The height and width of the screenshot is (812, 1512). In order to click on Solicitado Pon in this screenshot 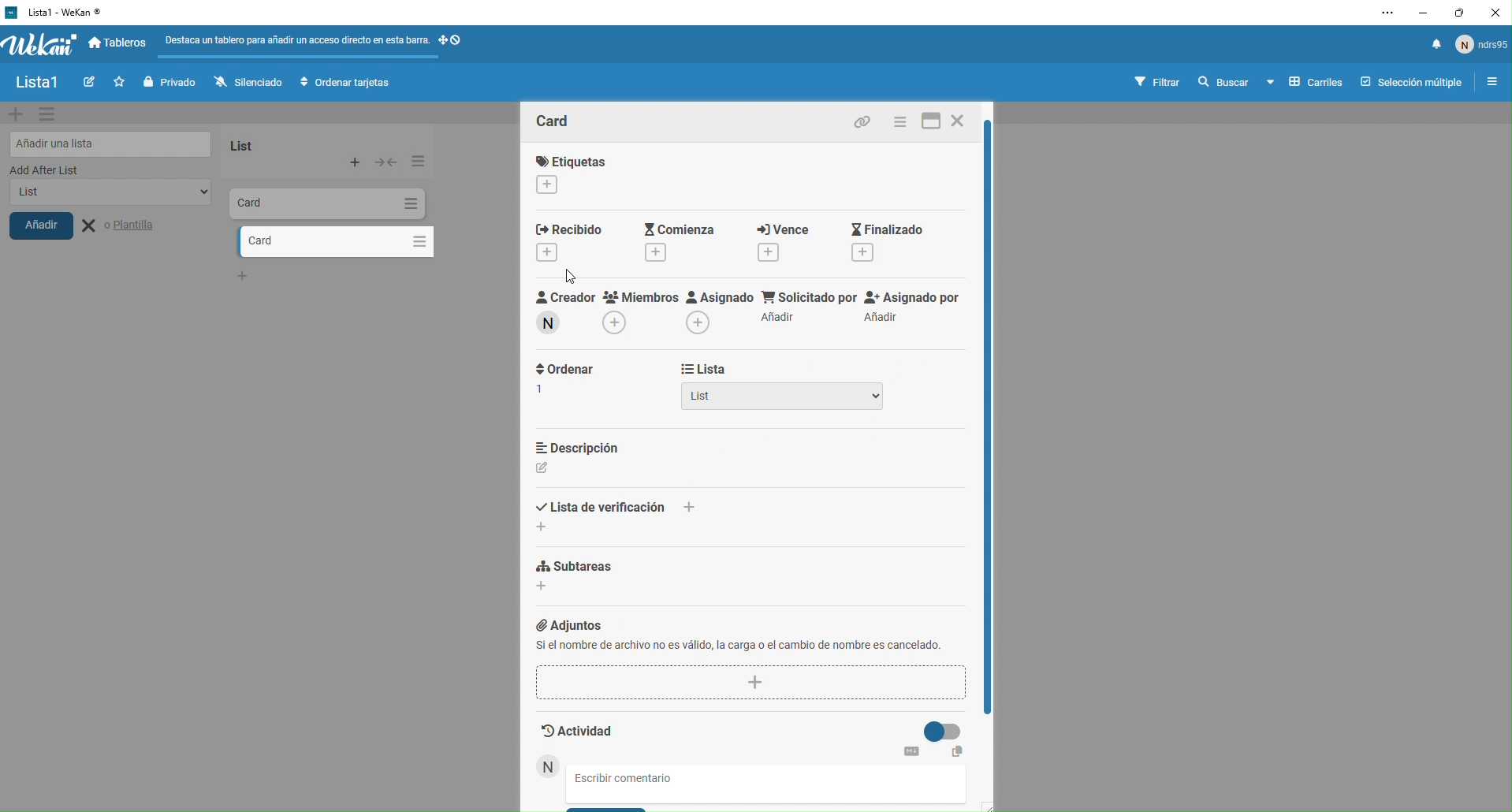, I will do `click(808, 309)`.